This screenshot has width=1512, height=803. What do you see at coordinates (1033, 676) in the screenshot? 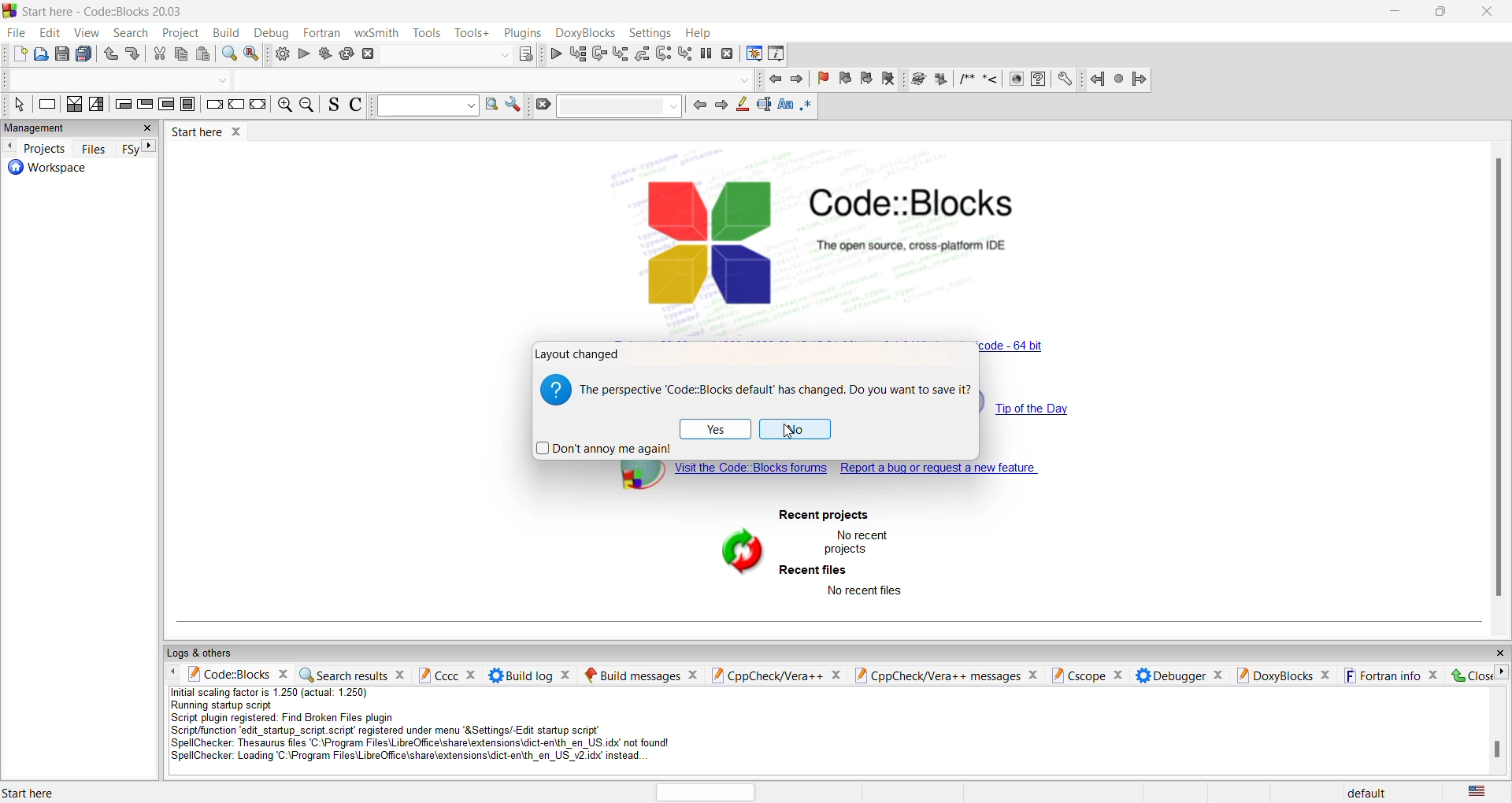
I see `close` at bounding box center [1033, 676].